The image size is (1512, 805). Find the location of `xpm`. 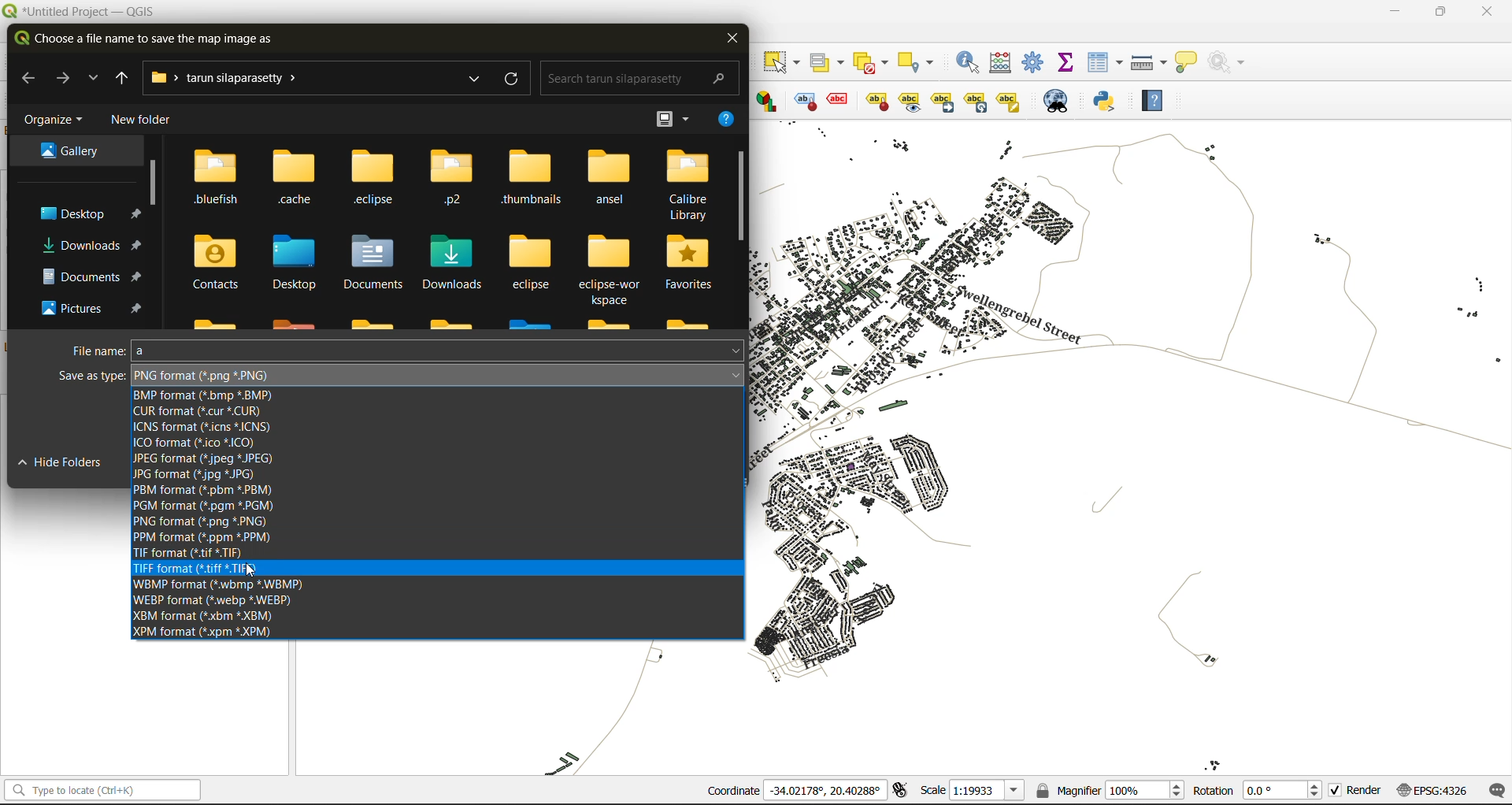

xpm is located at coordinates (206, 632).